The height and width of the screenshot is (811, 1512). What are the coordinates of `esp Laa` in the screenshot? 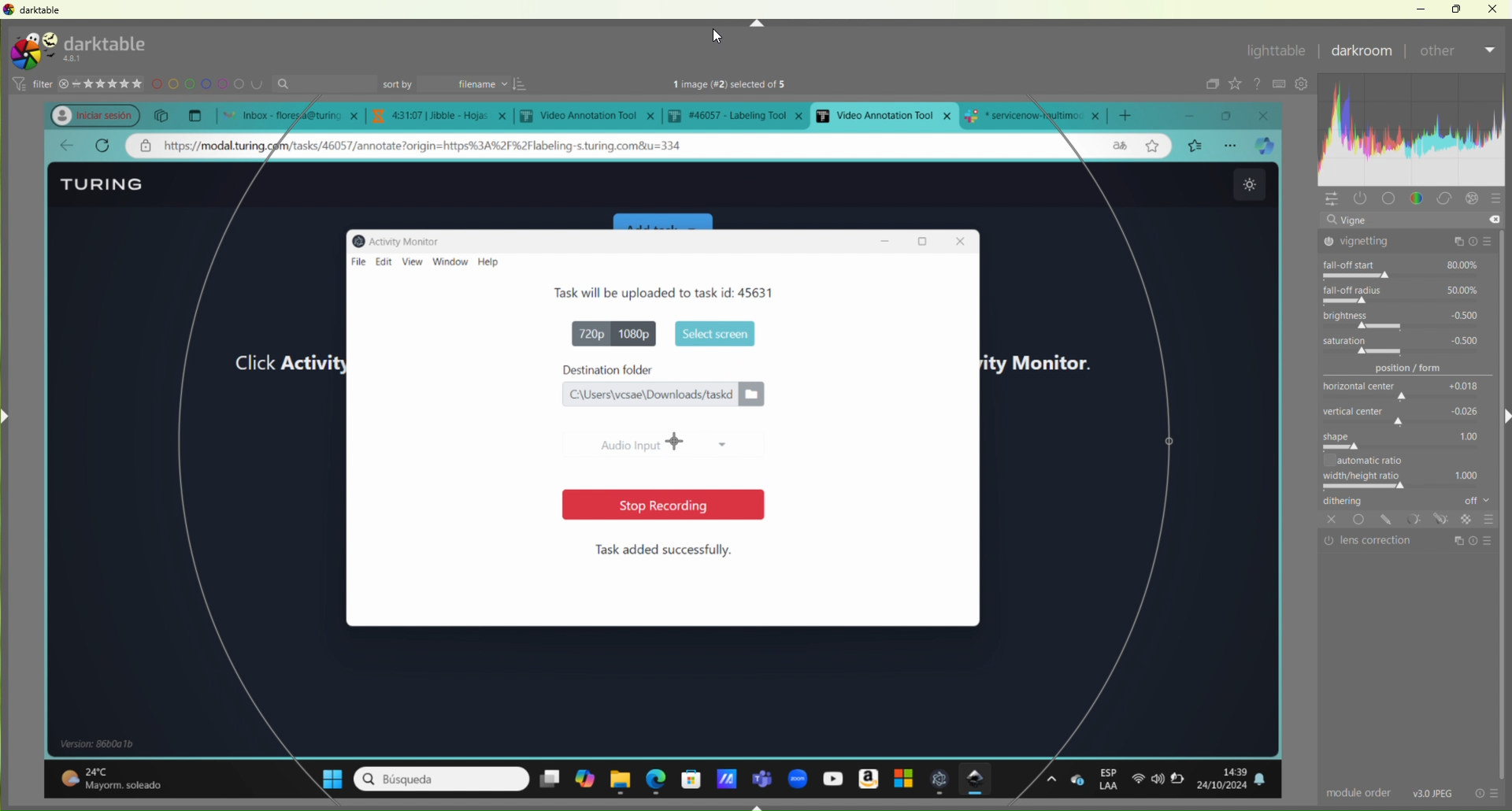 It's located at (1110, 780).